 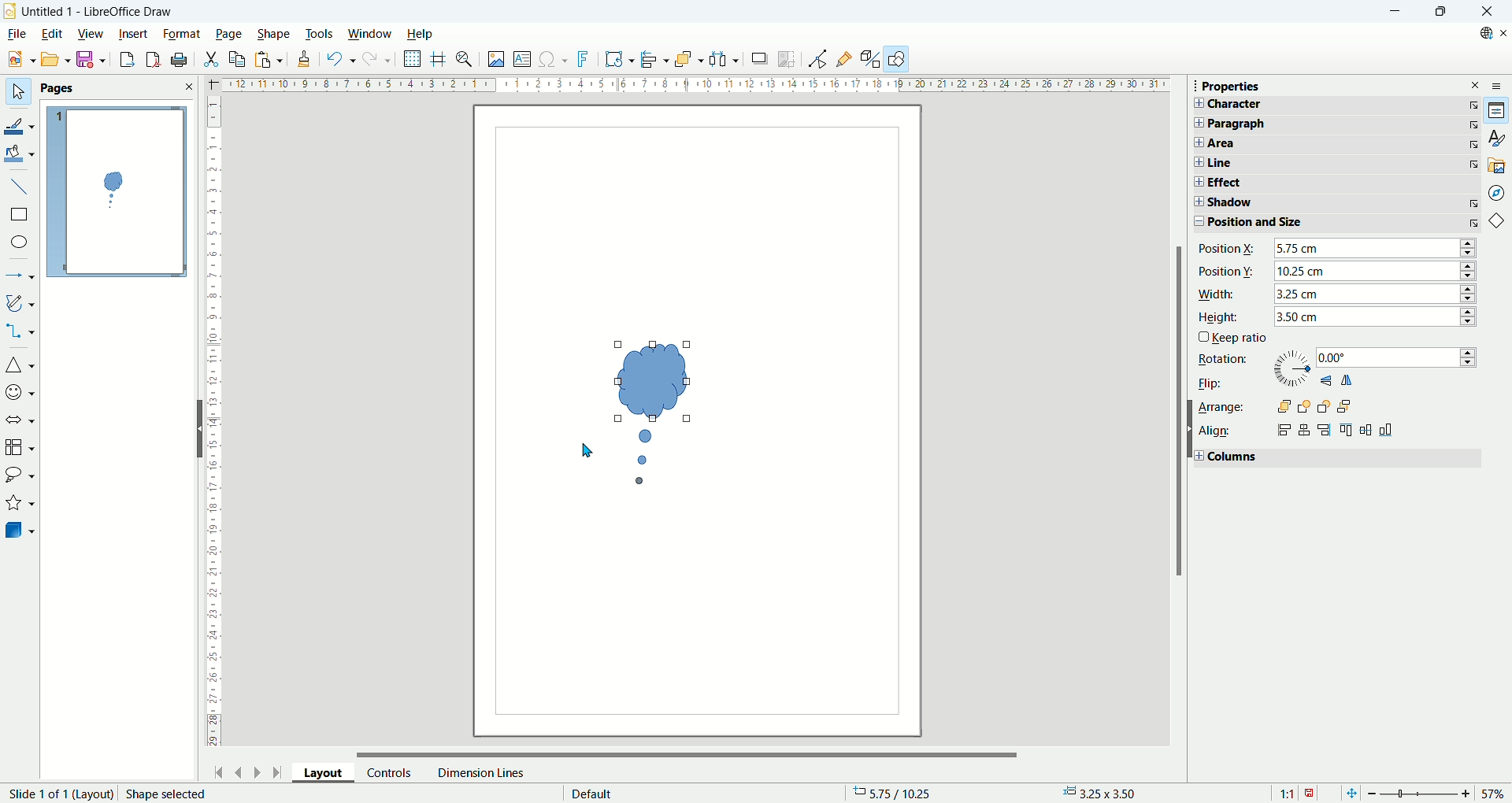 I want to click on select, so click(x=17, y=93).